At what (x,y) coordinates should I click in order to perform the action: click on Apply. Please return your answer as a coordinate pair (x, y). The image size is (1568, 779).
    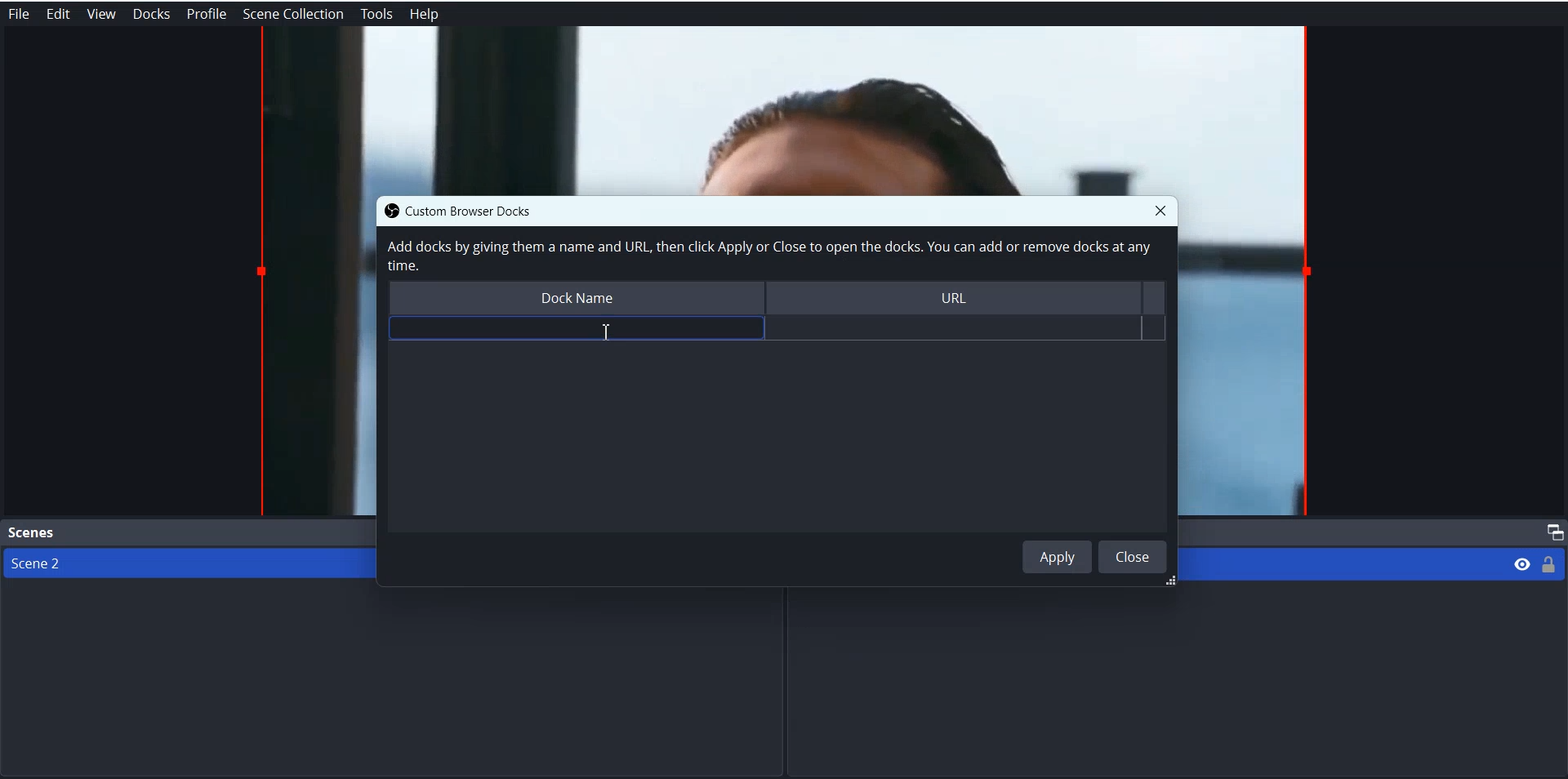
    Looking at the image, I should click on (1058, 556).